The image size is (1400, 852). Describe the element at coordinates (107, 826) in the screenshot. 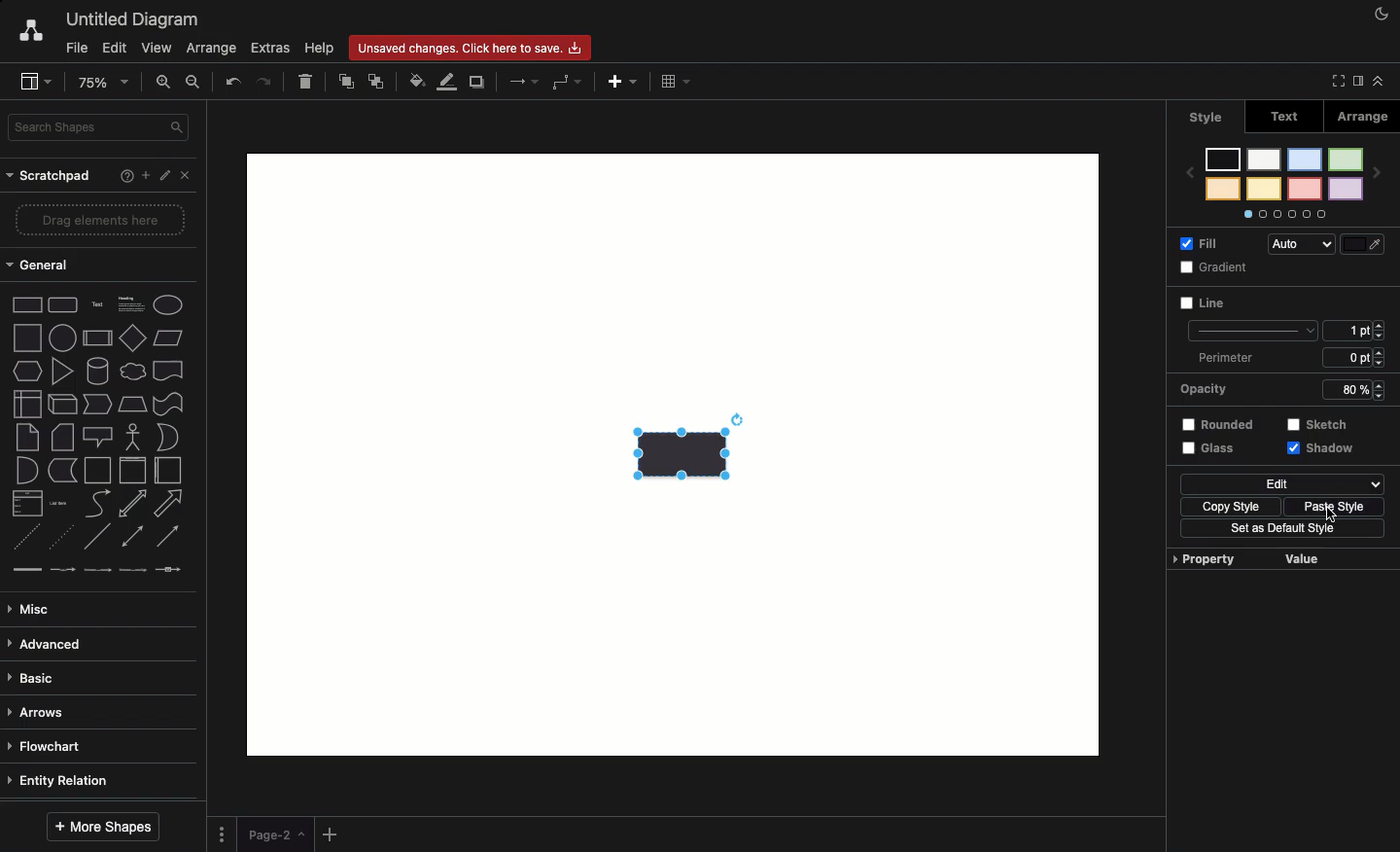

I see `More shapes` at that location.